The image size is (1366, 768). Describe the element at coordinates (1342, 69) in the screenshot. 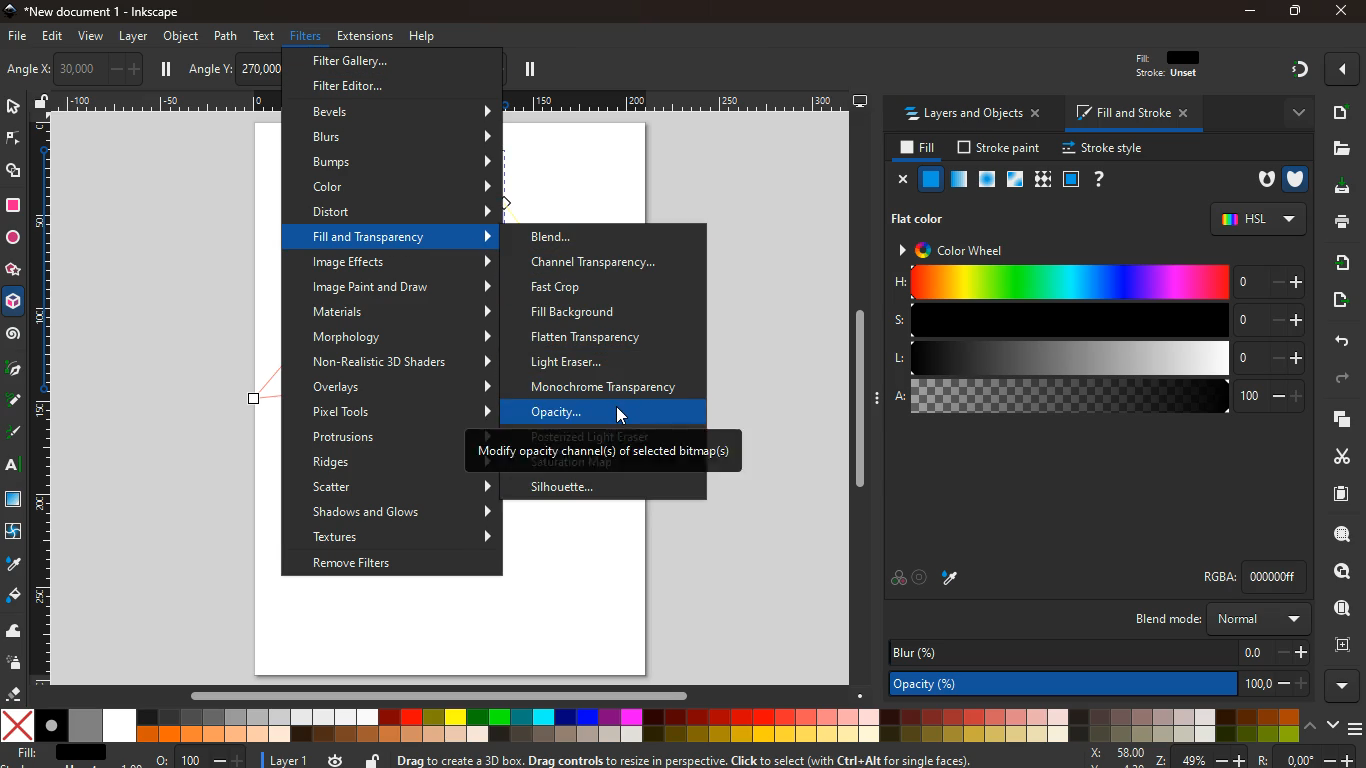

I see `more` at that location.